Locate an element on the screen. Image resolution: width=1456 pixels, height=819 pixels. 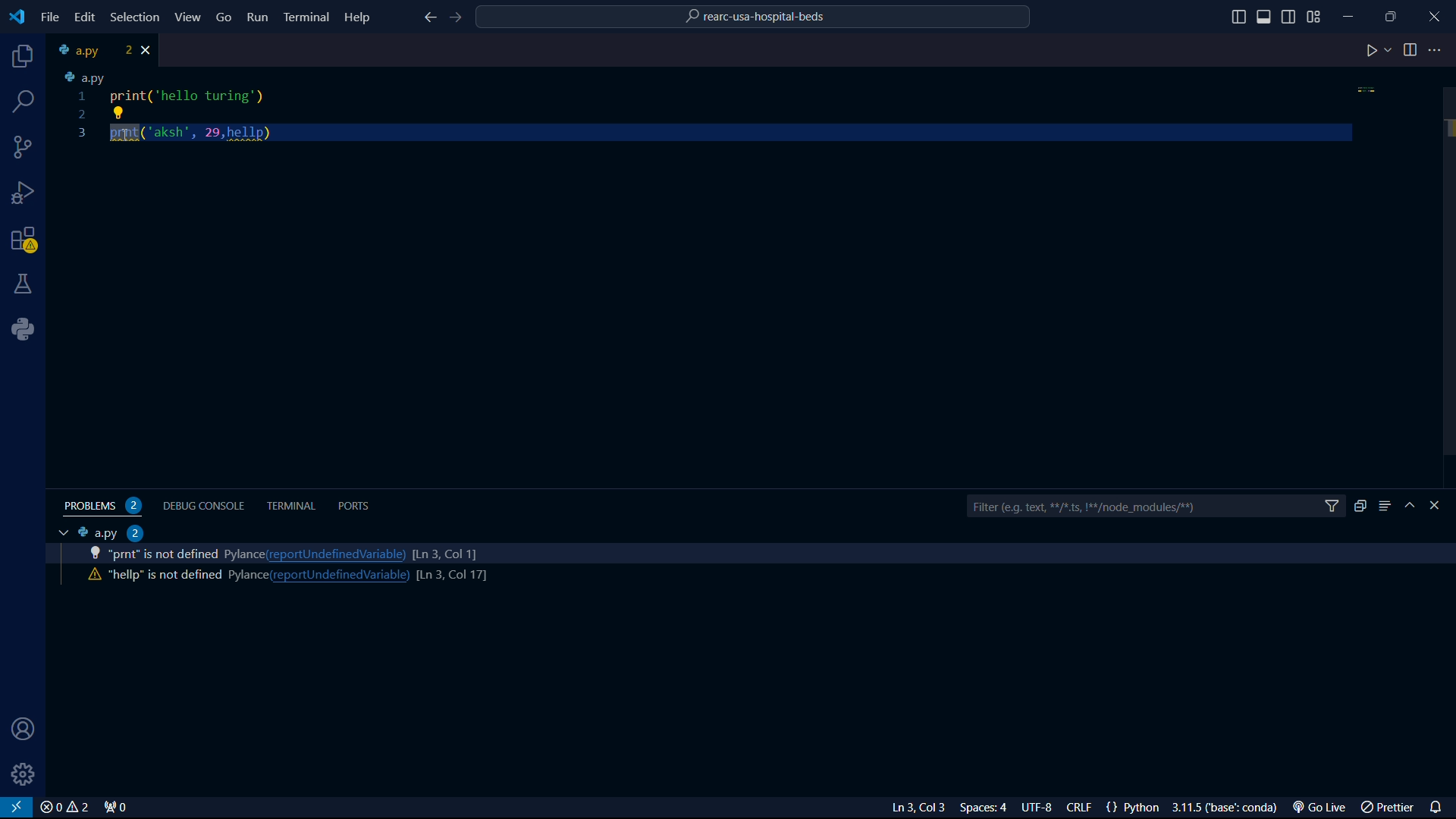
ports is located at coordinates (357, 505).